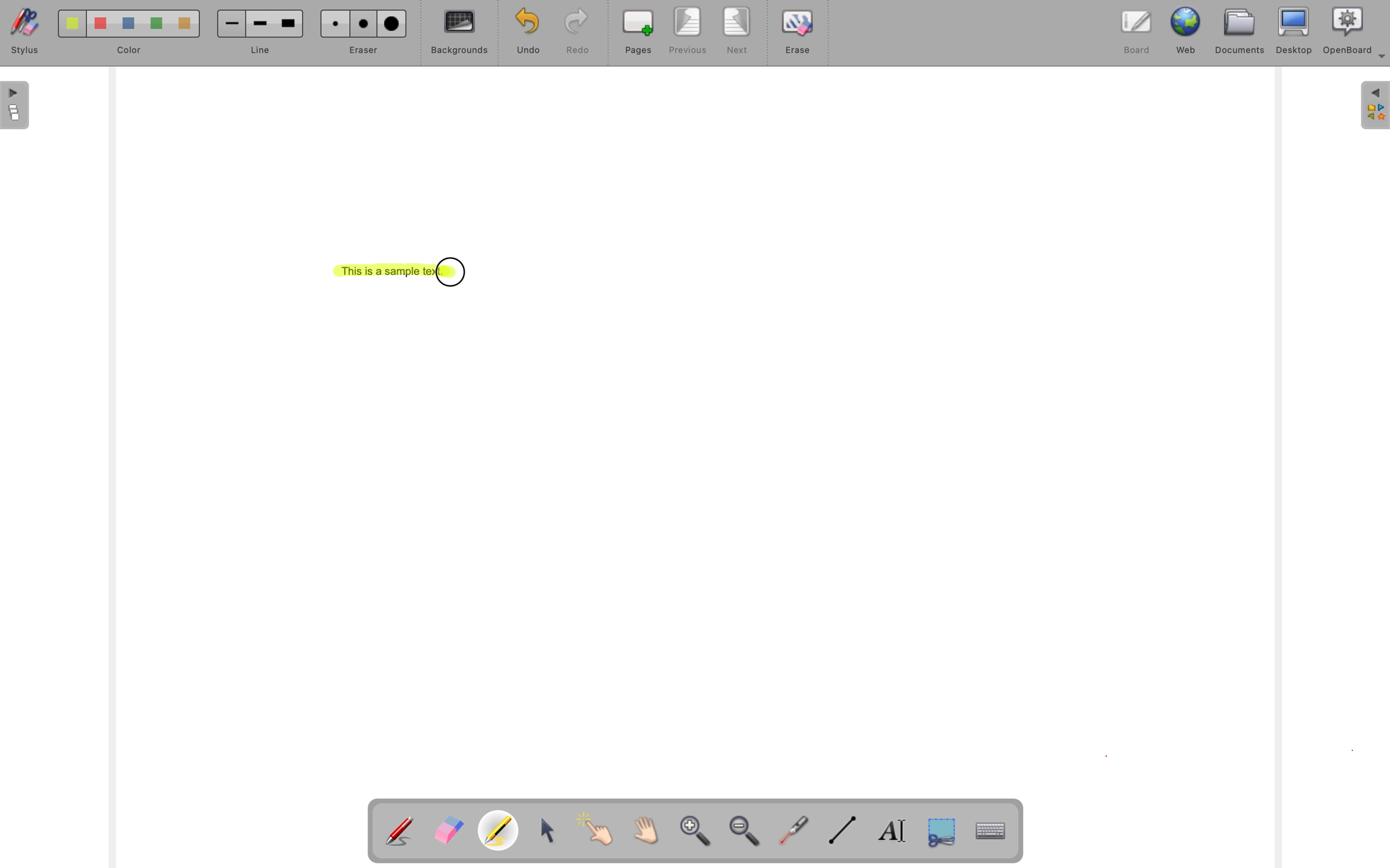  I want to click on Color 2, so click(101, 24).